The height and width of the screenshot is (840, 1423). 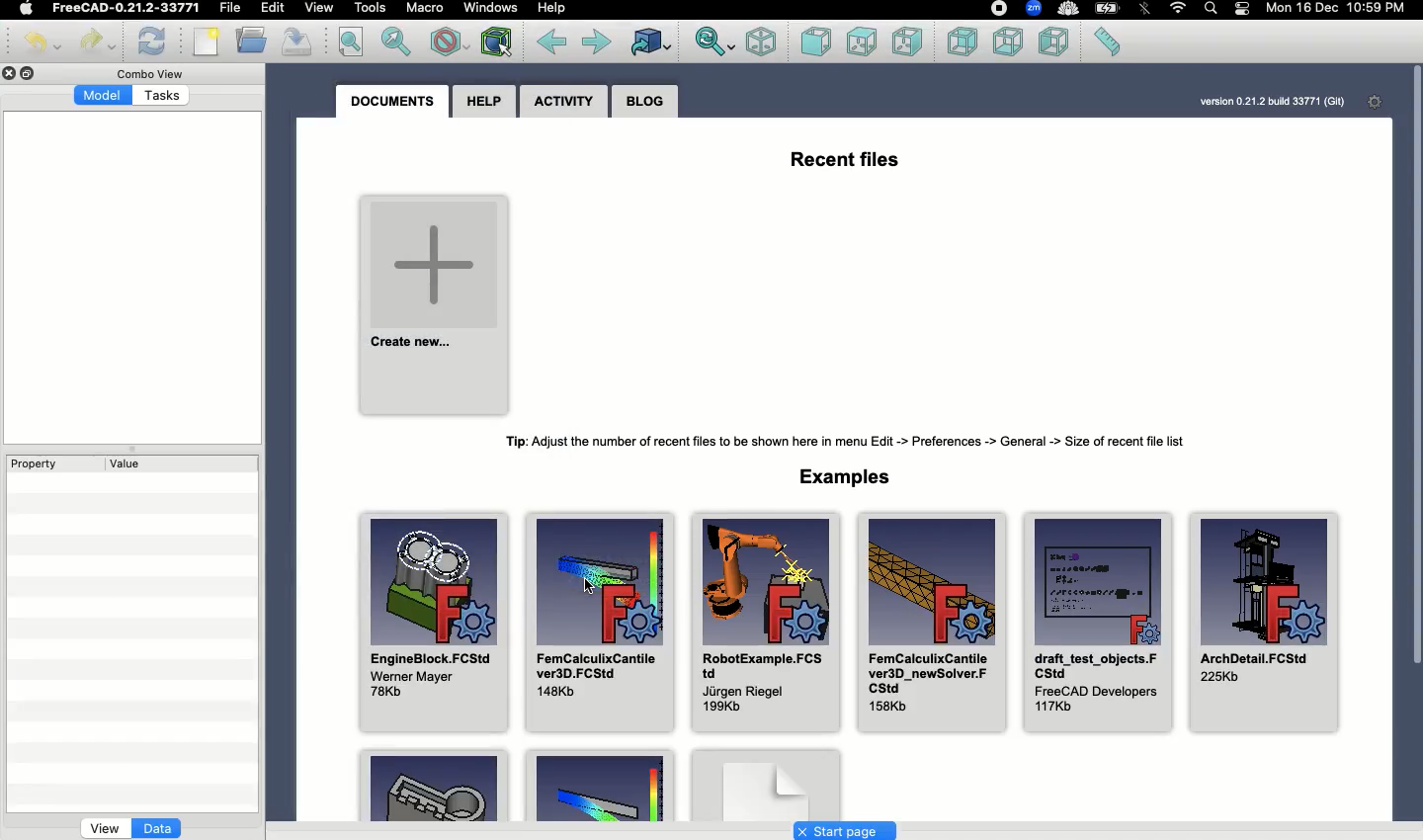 What do you see at coordinates (765, 783) in the screenshot?
I see `Example 3` at bounding box center [765, 783].